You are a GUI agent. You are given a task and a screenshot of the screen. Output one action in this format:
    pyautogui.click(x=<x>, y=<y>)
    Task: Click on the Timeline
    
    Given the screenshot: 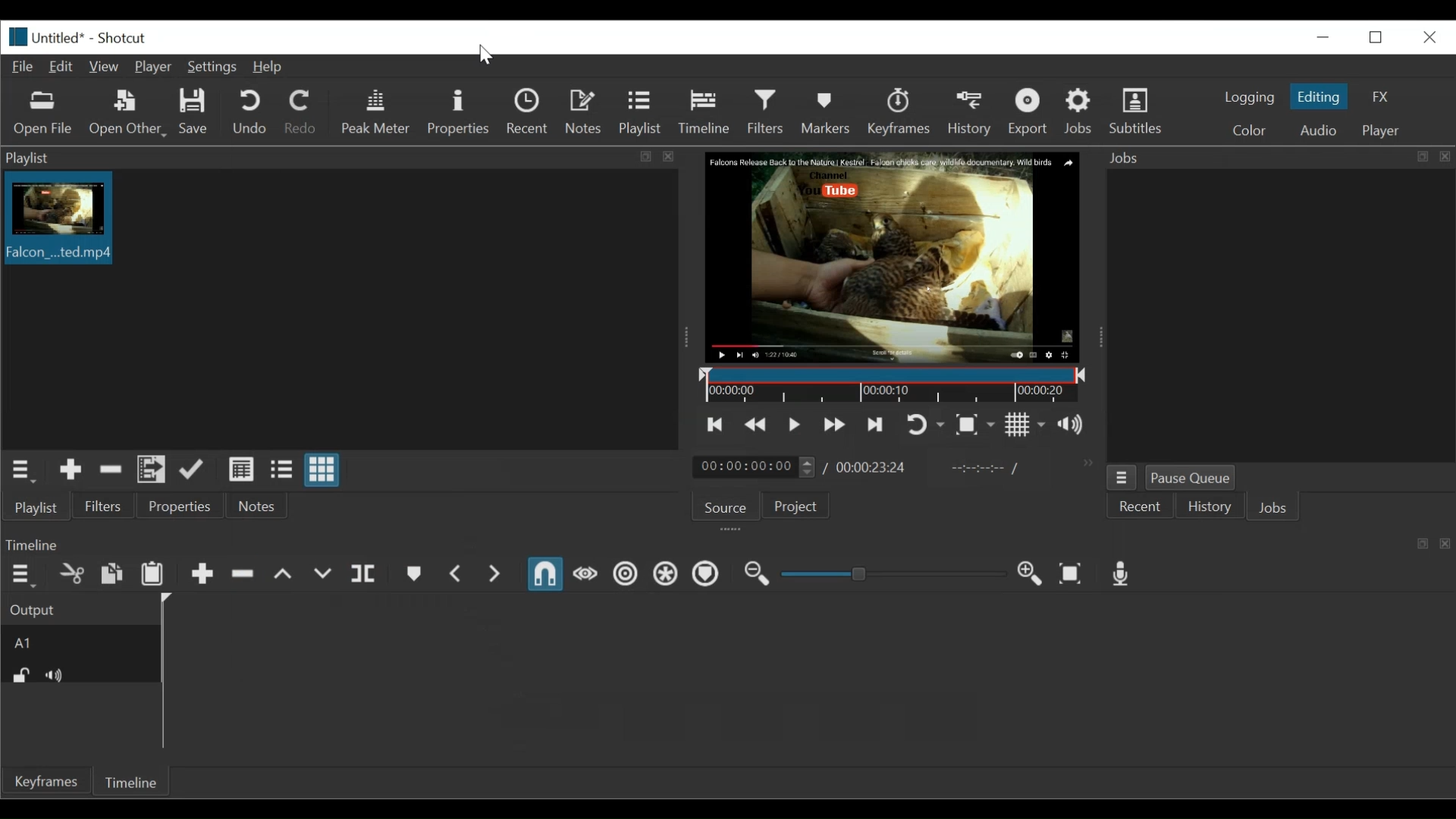 What is the action you would take?
    pyautogui.click(x=134, y=783)
    